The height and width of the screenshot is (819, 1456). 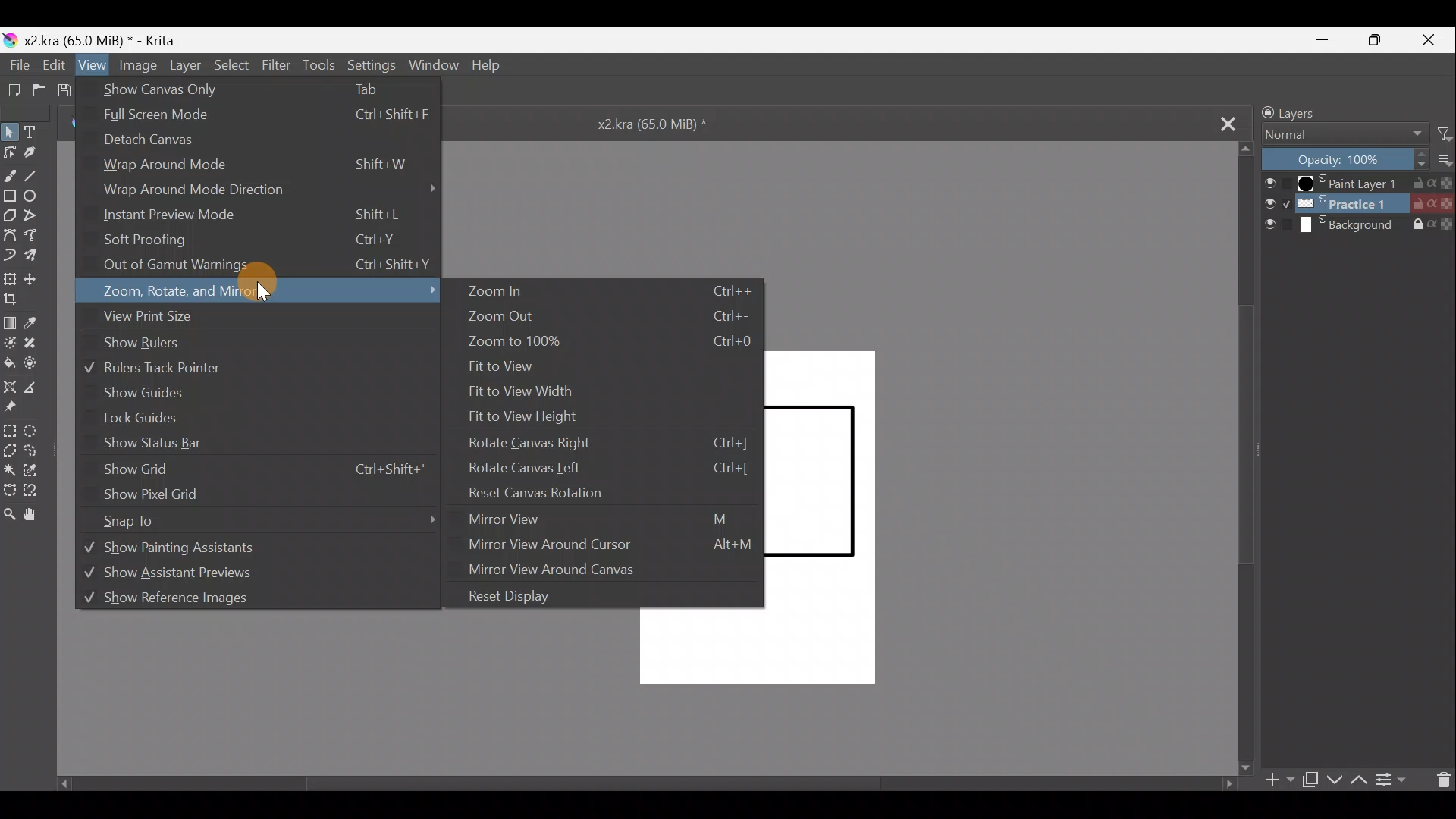 What do you see at coordinates (432, 64) in the screenshot?
I see `Window` at bounding box center [432, 64].